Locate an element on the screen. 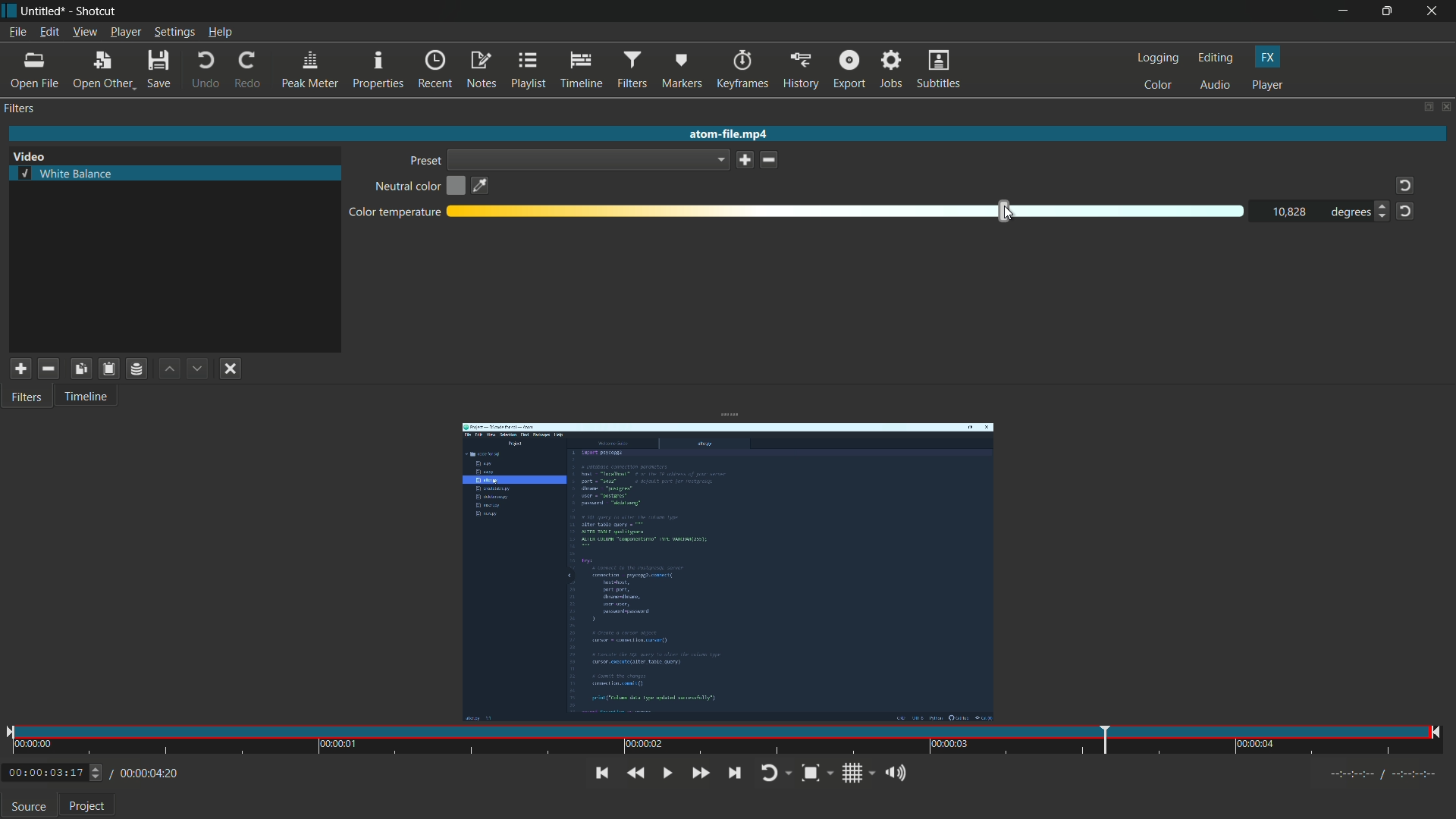 The width and height of the screenshot is (1456, 819). quickly play backward is located at coordinates (635, 773).